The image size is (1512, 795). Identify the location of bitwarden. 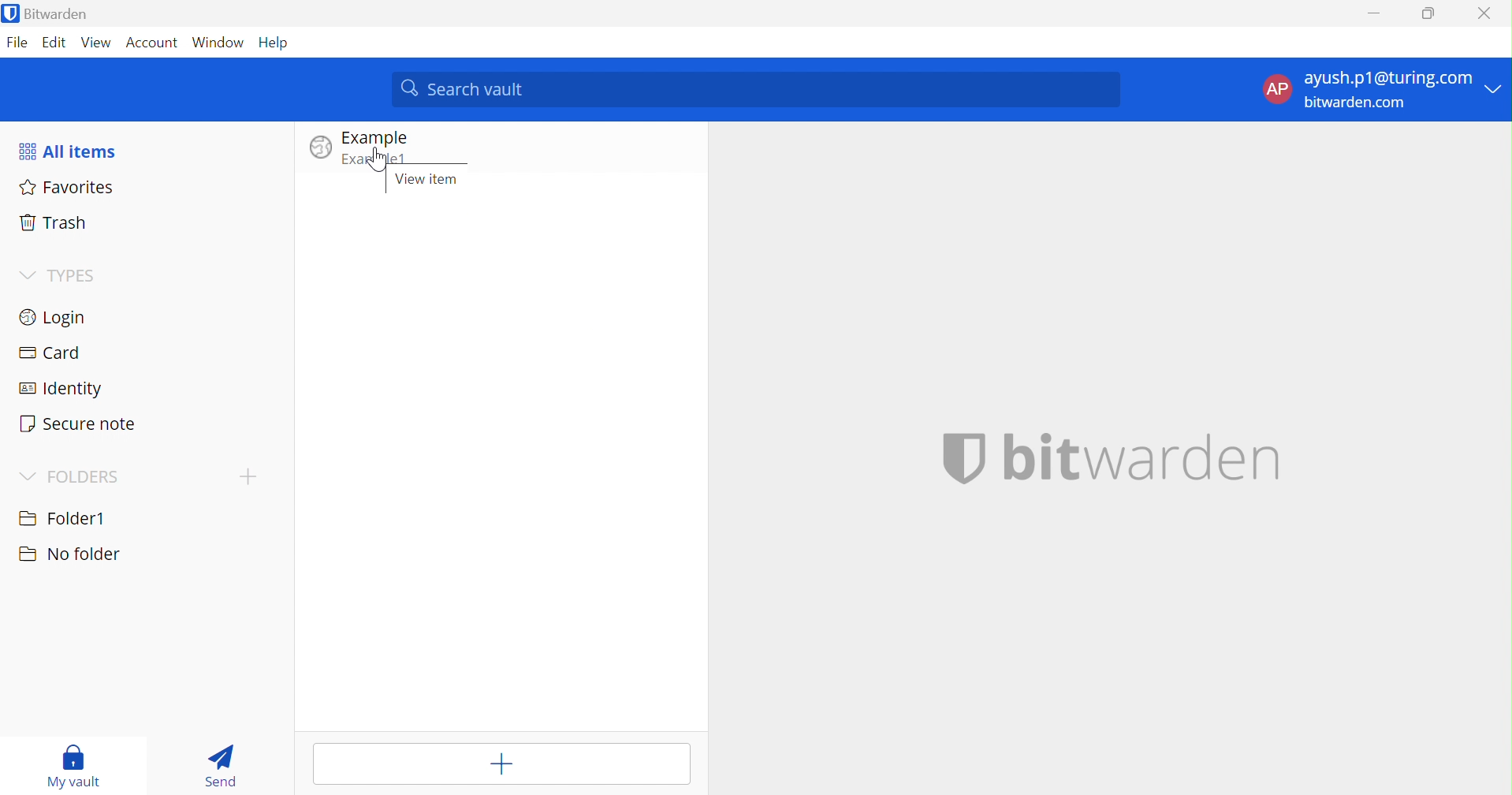
(1111, 455).